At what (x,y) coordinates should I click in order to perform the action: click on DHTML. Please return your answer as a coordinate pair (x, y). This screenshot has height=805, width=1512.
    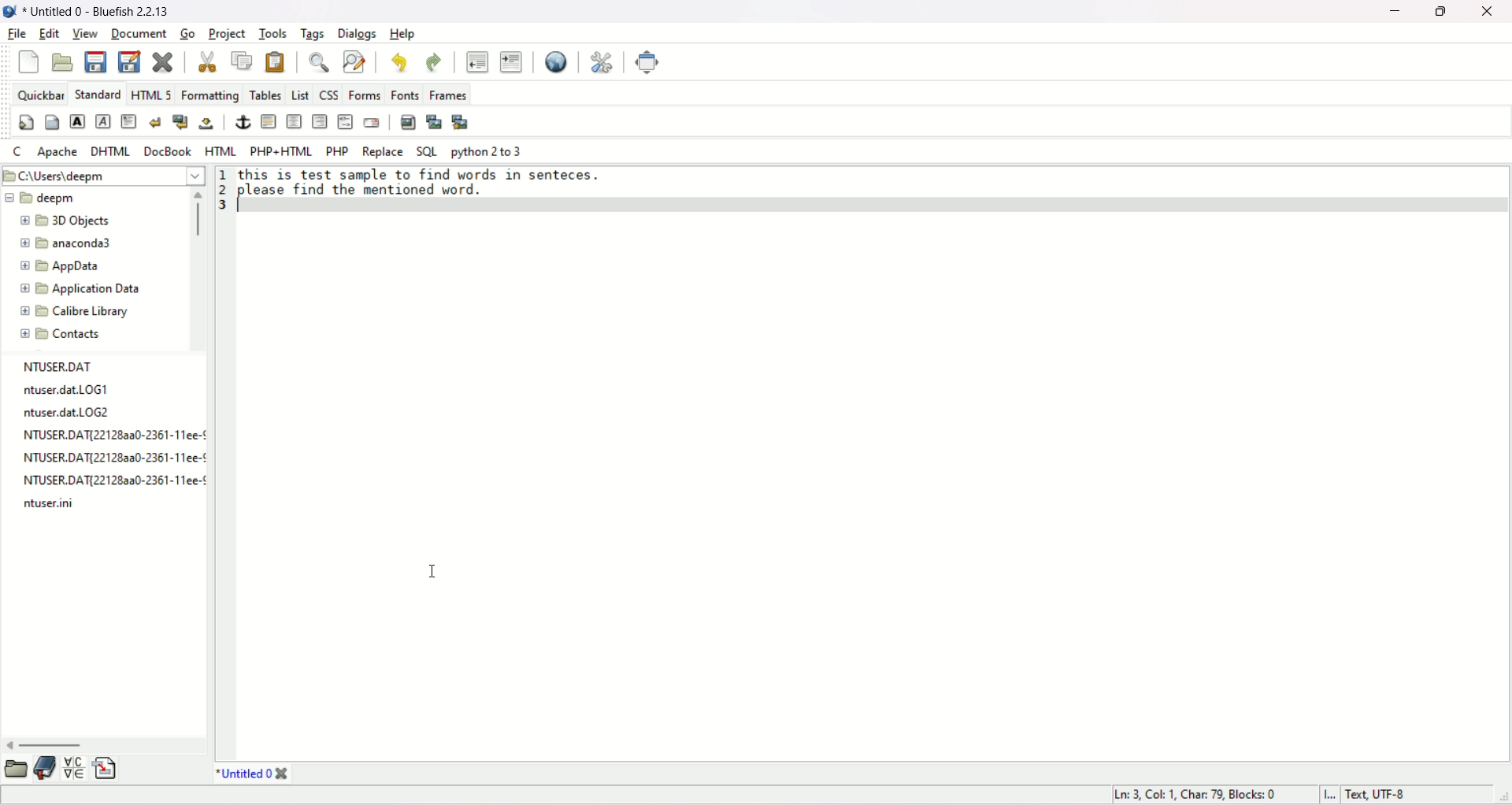
    Looking at the image, I should click on (111, 152).